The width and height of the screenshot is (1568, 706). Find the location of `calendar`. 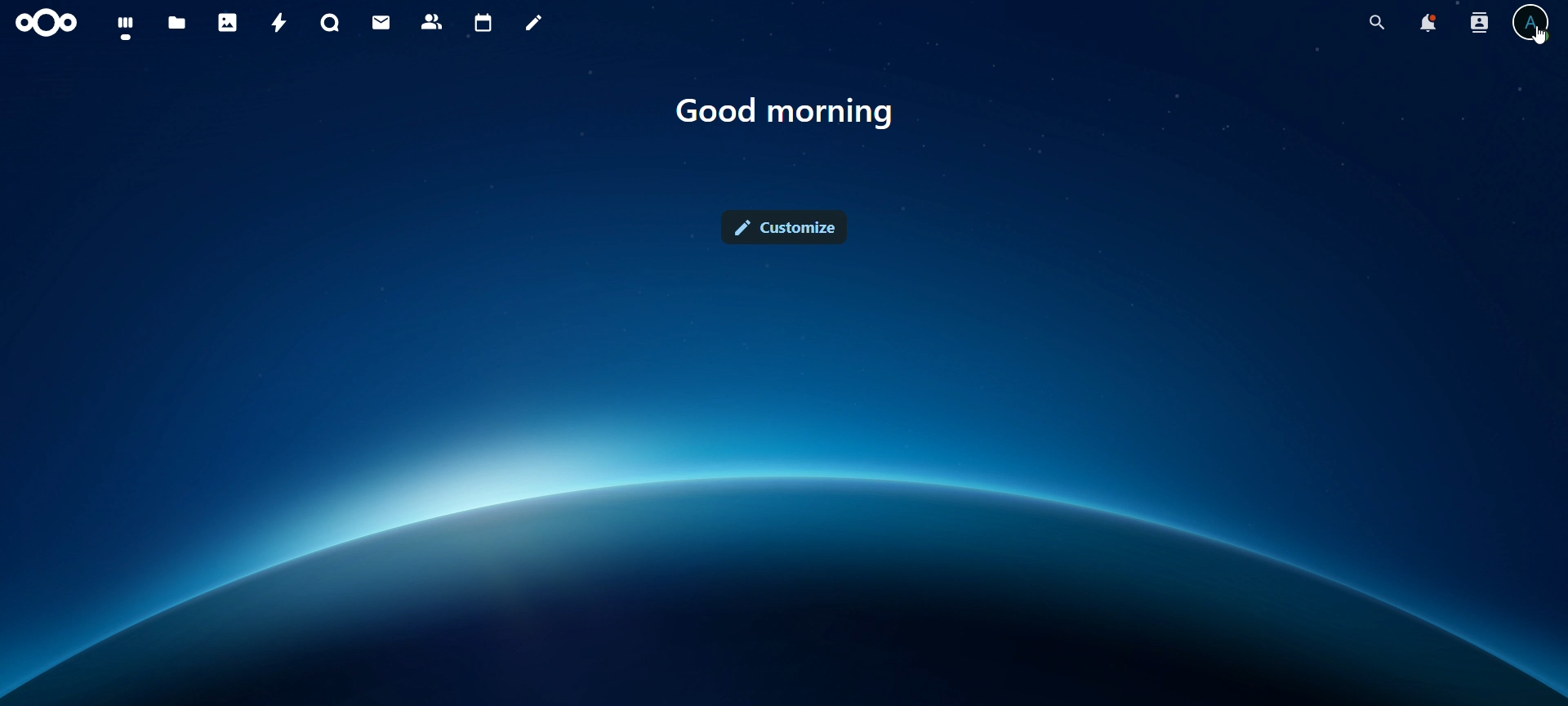

calendar is located at coordinates (484, 23).